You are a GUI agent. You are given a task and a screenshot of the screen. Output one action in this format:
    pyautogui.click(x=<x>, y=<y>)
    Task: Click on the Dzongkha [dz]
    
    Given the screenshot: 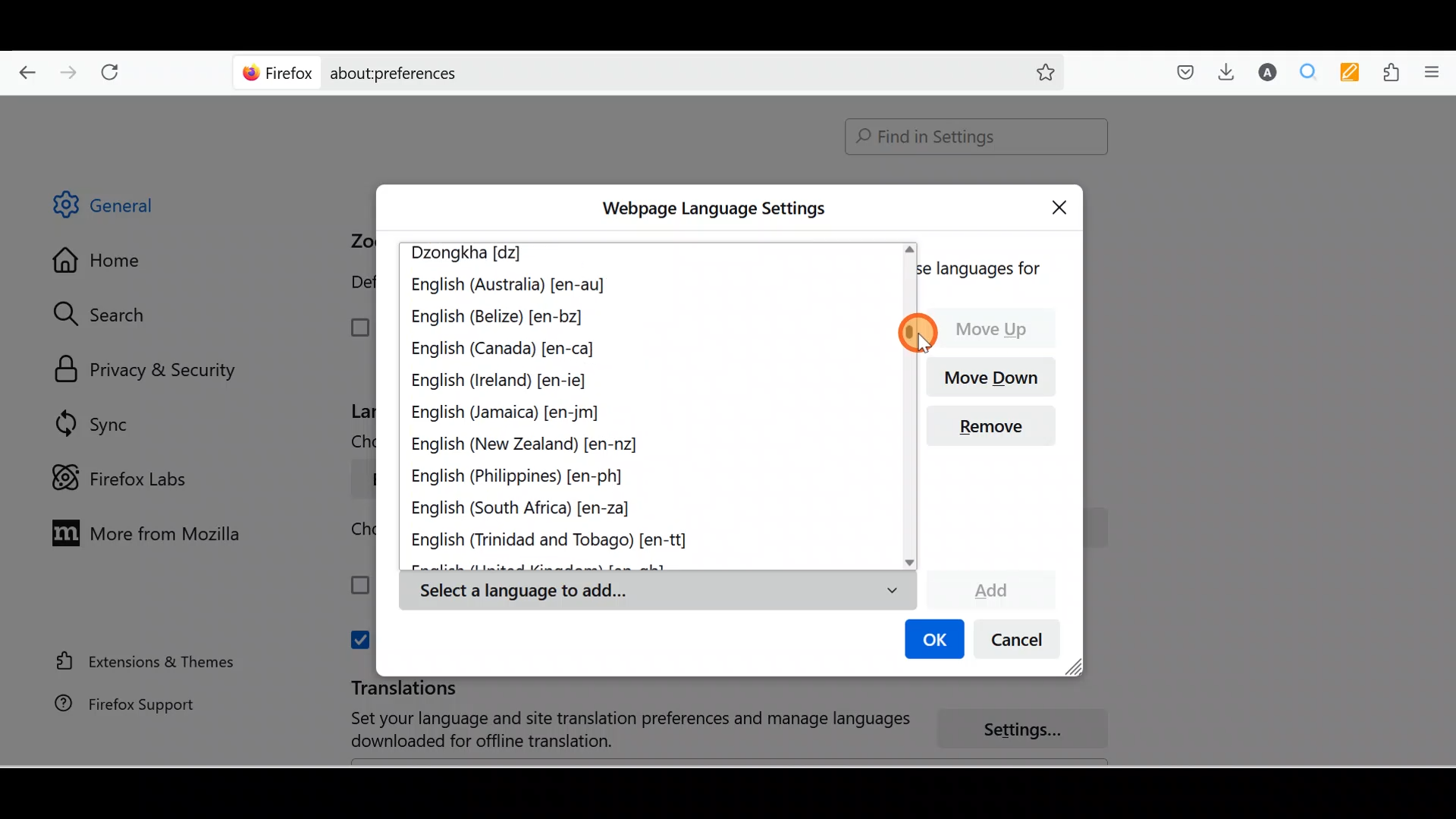 What is the action you would take?
    pyautogui.click(x=476, y=255)
    